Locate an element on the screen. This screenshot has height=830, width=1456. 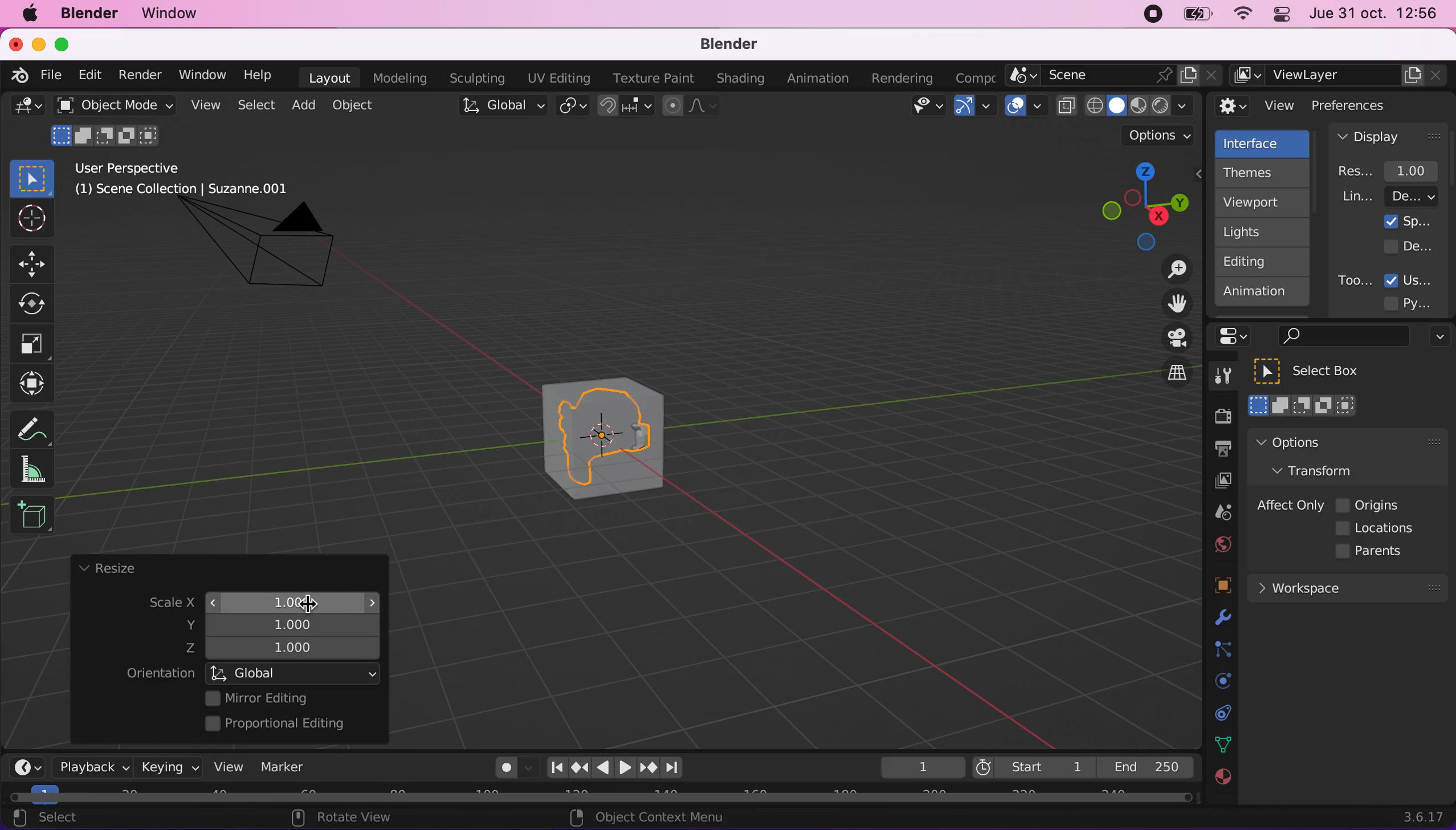
view object types is located at coordinates (925, 108).